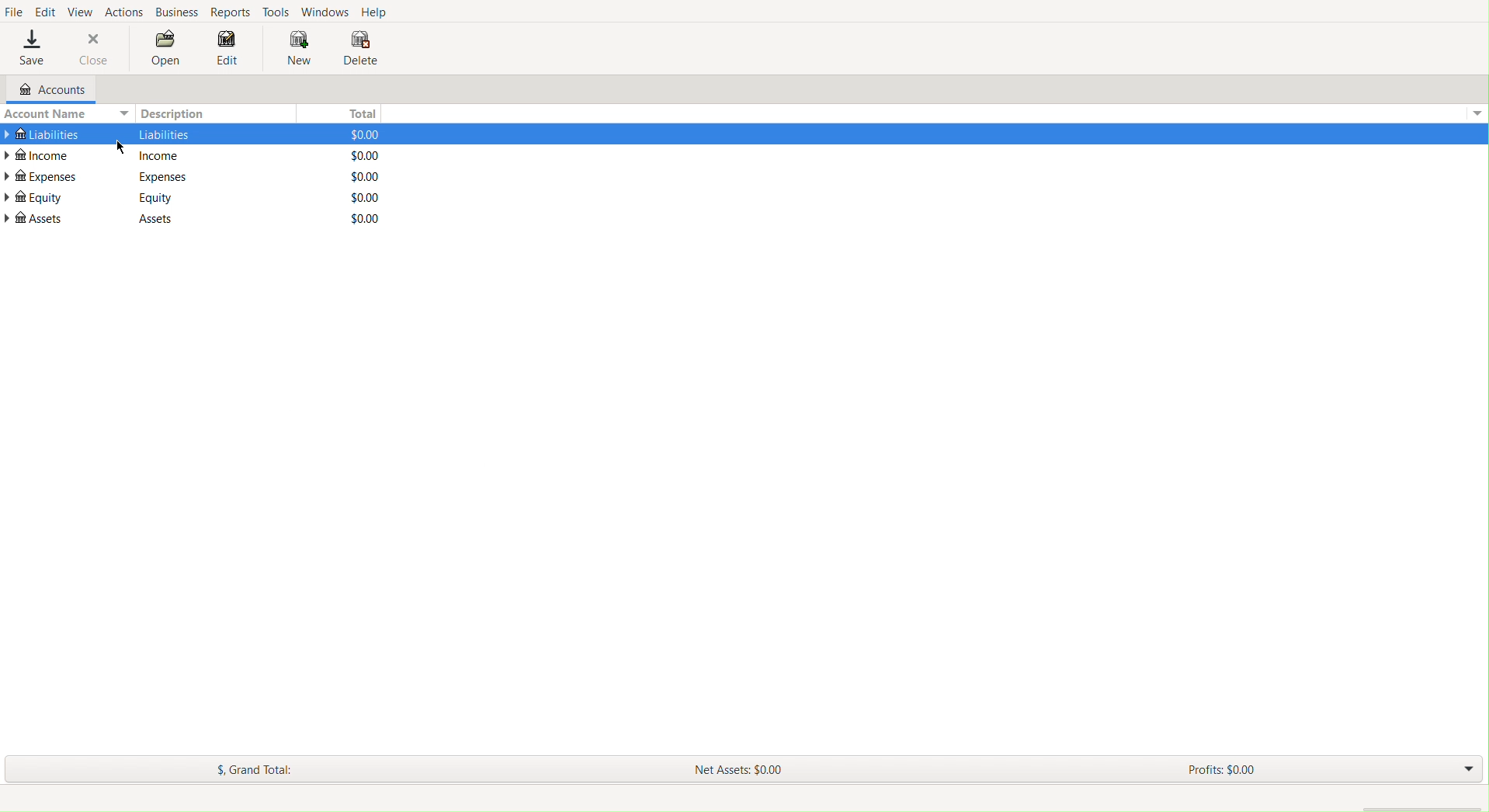 Image resolution: width=1489 pixels, height=812 pixels. Describe the element at coordinates (256, 769) in the screenshot. I see `Grand Total` at that location.